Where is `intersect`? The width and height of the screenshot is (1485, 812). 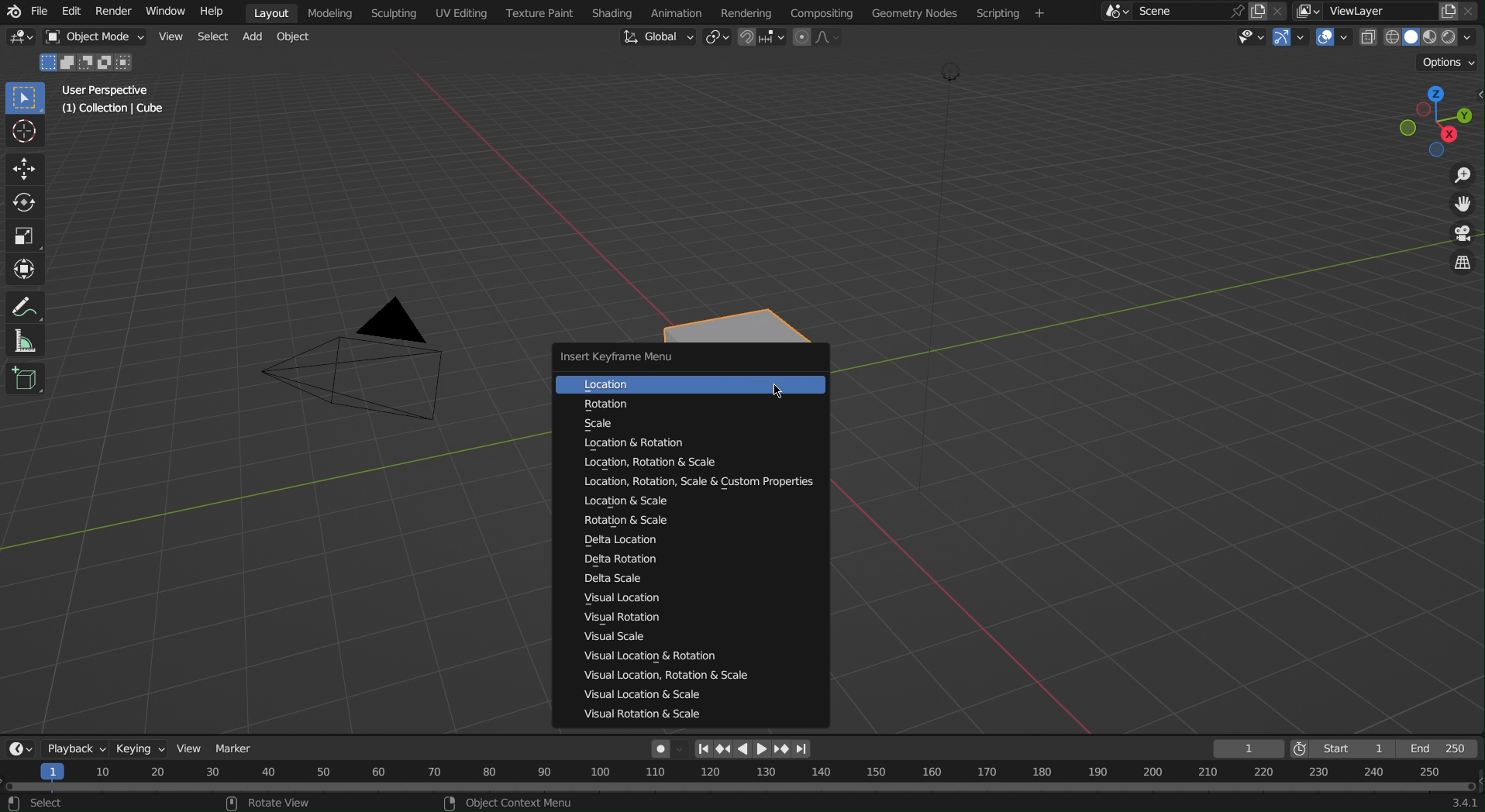
intersect is located at coordinates (129, 63).